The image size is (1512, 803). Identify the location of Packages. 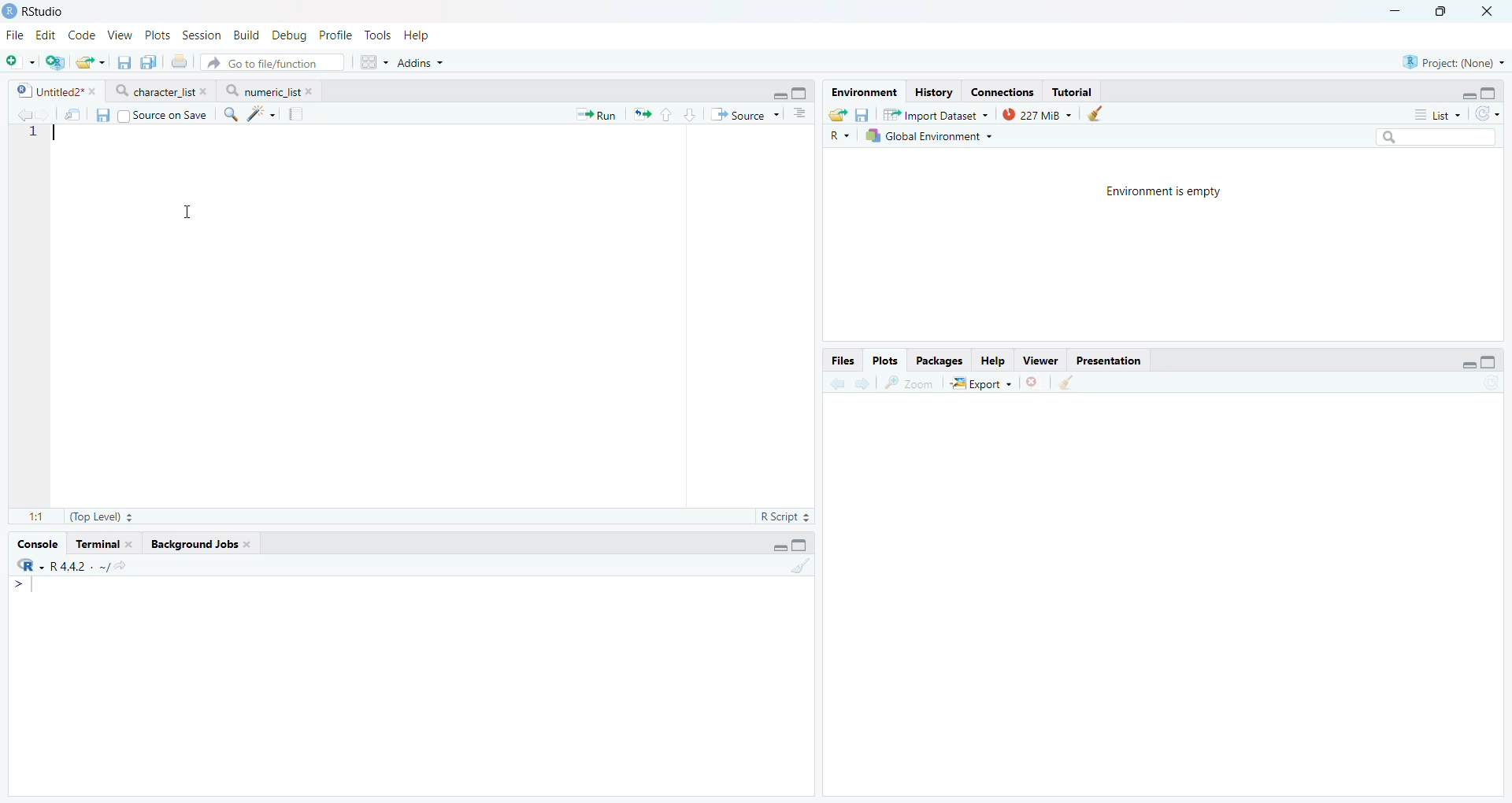
(941, 361).